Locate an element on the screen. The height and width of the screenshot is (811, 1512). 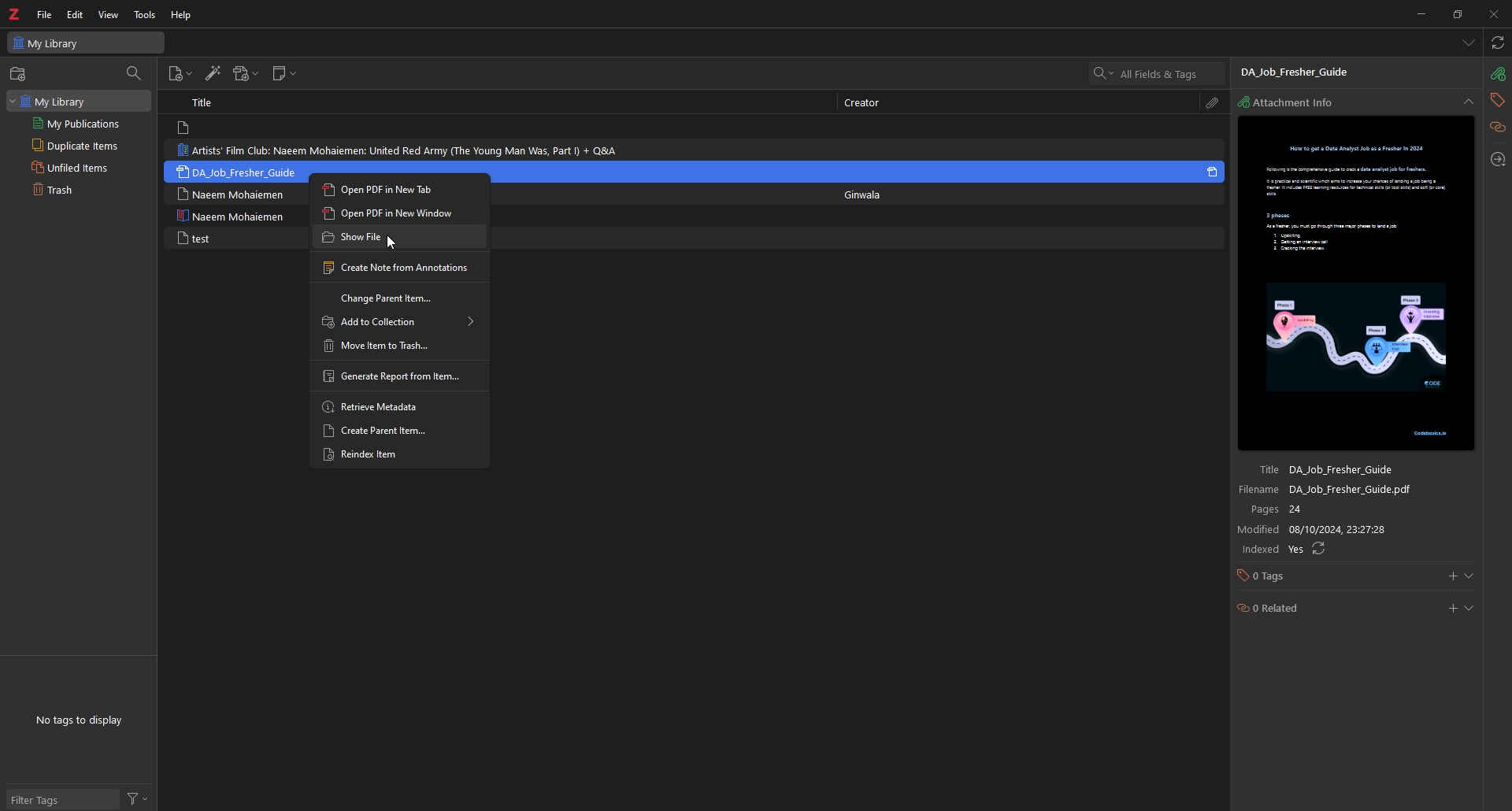
my library is located at coordinates (80, 101).